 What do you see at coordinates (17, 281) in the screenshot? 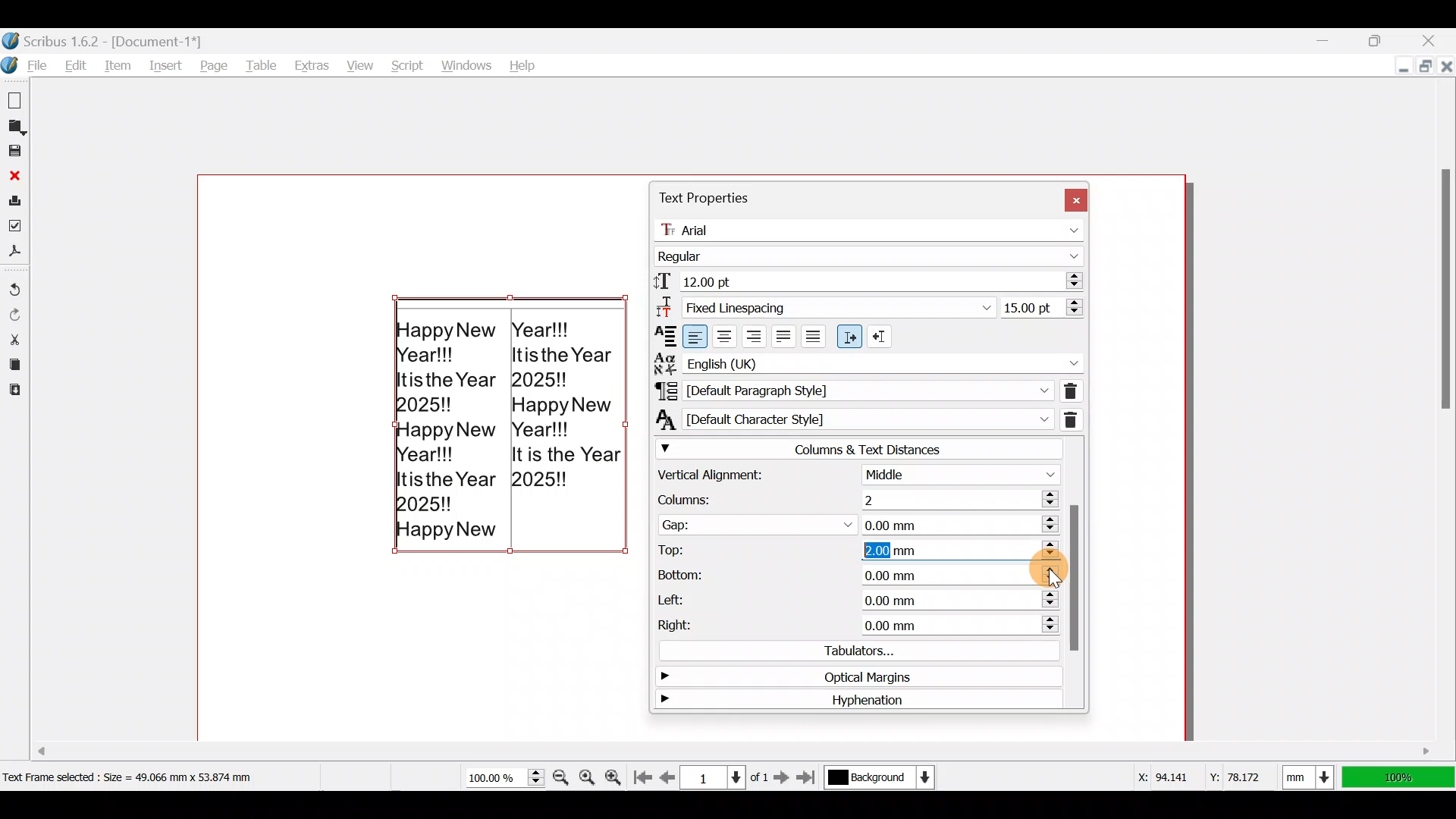
I see `Undo` at bounding box center [17, 281].